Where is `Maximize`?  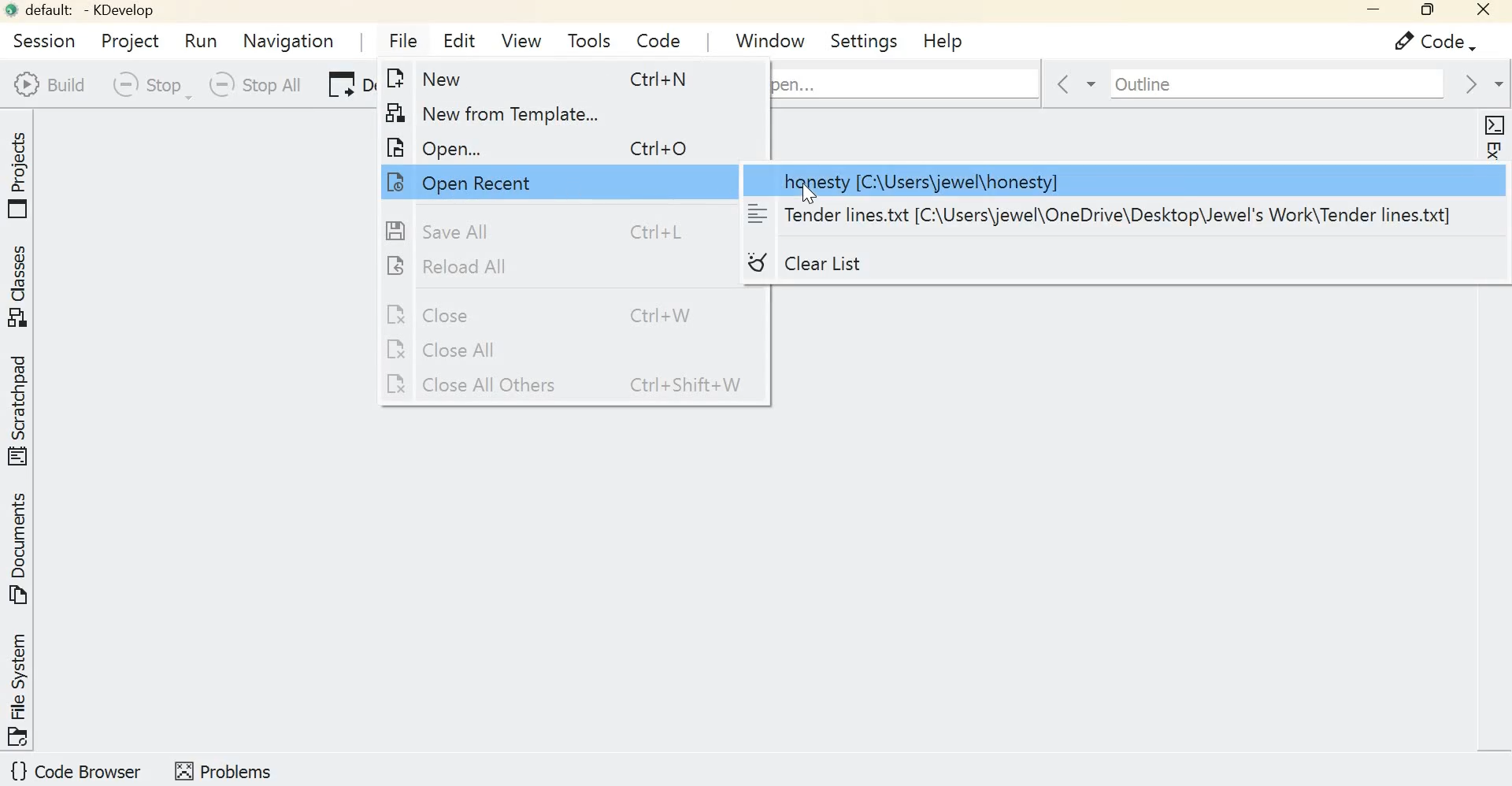 Maximize is located at coordinates (1425, 11).